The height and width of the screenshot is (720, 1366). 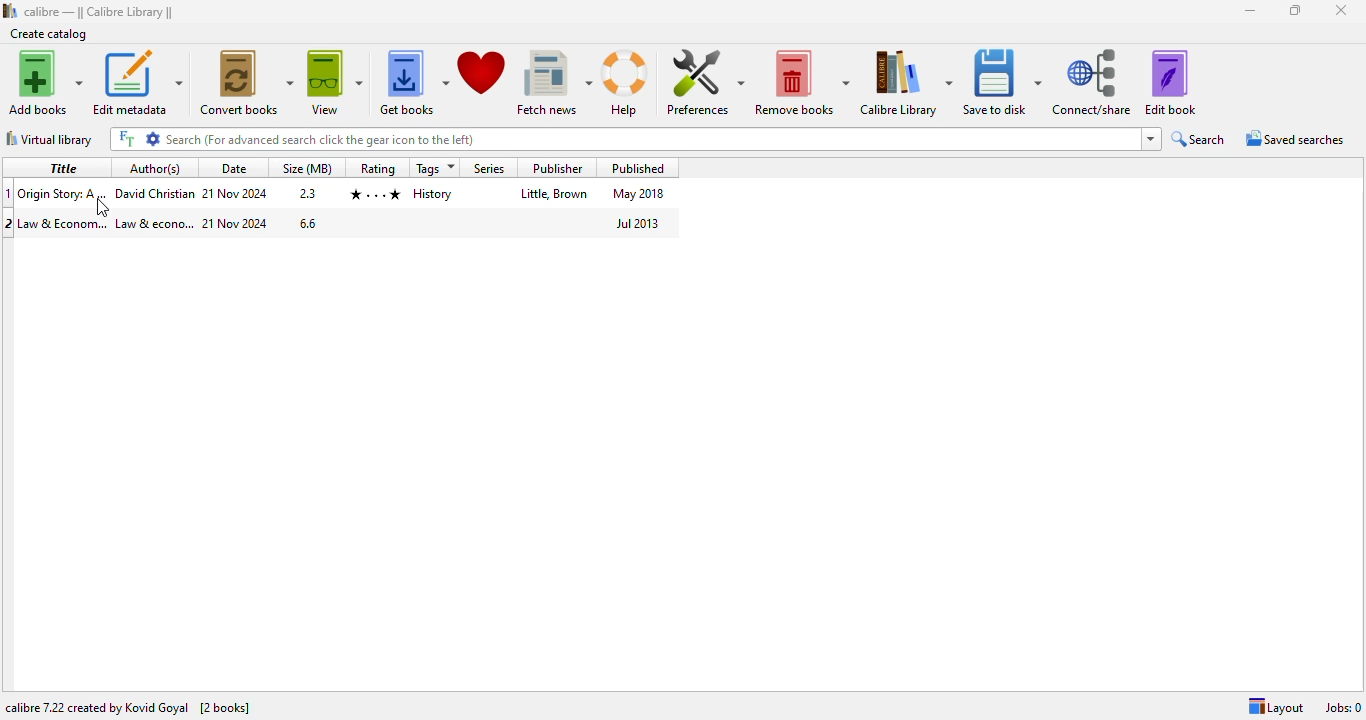 I want to click on add books, so click(x=44, y=82).